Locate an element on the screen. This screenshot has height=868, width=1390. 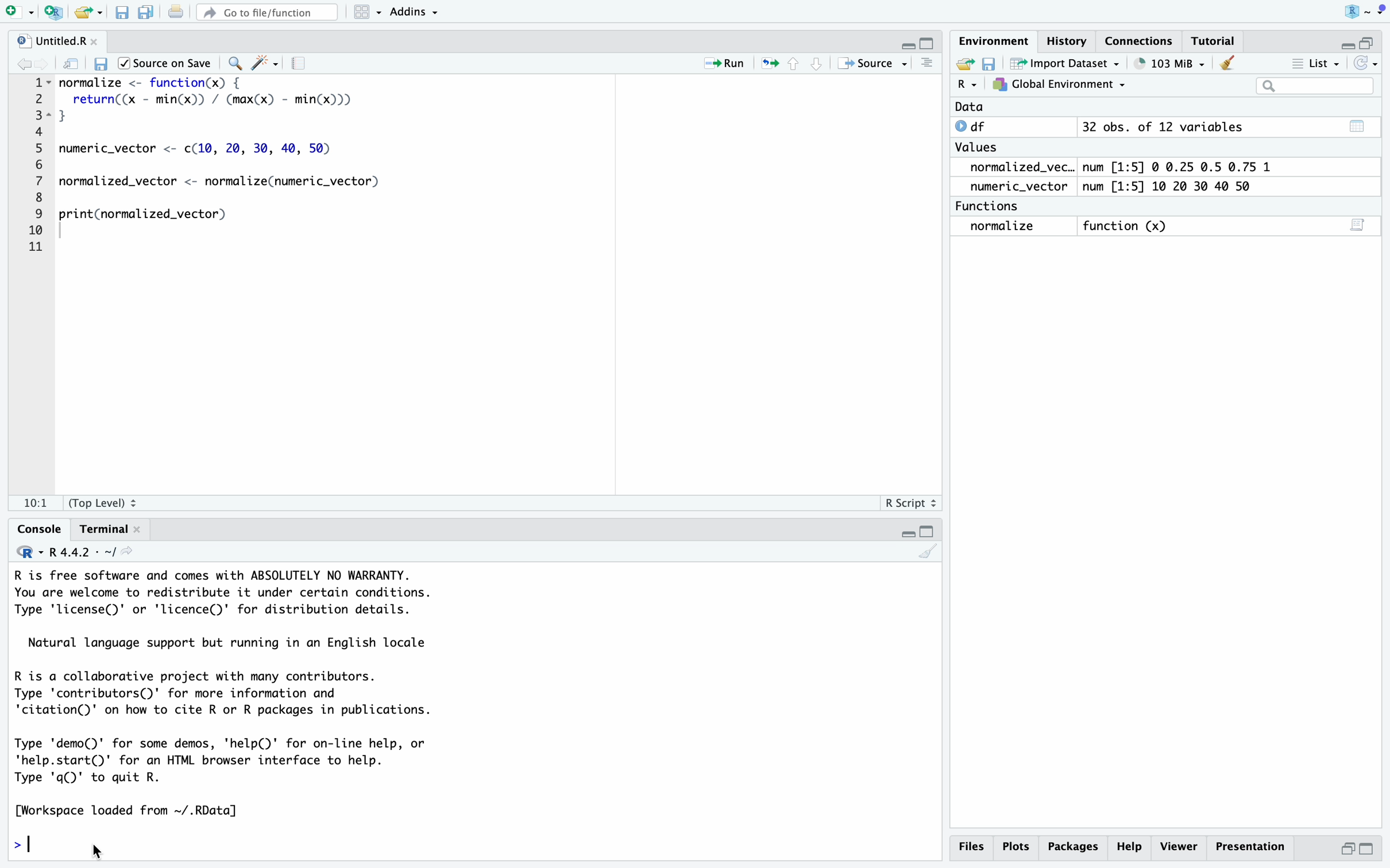
Refresh the list of objects in the environment is located at coordinates (1367, 63).